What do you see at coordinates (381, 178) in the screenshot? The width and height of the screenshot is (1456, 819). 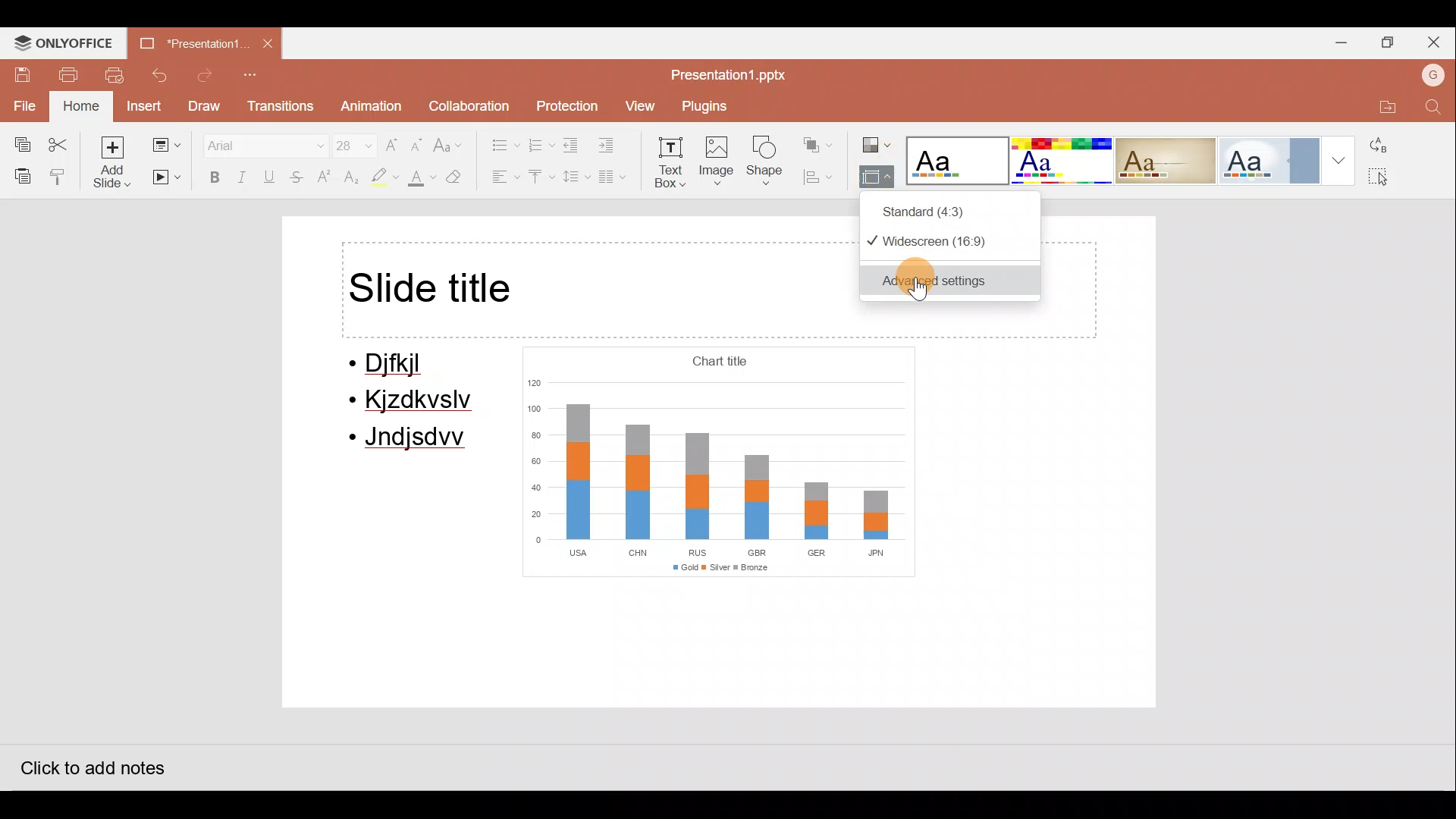 I see `Highlight color` at bounding box center [381, 178].